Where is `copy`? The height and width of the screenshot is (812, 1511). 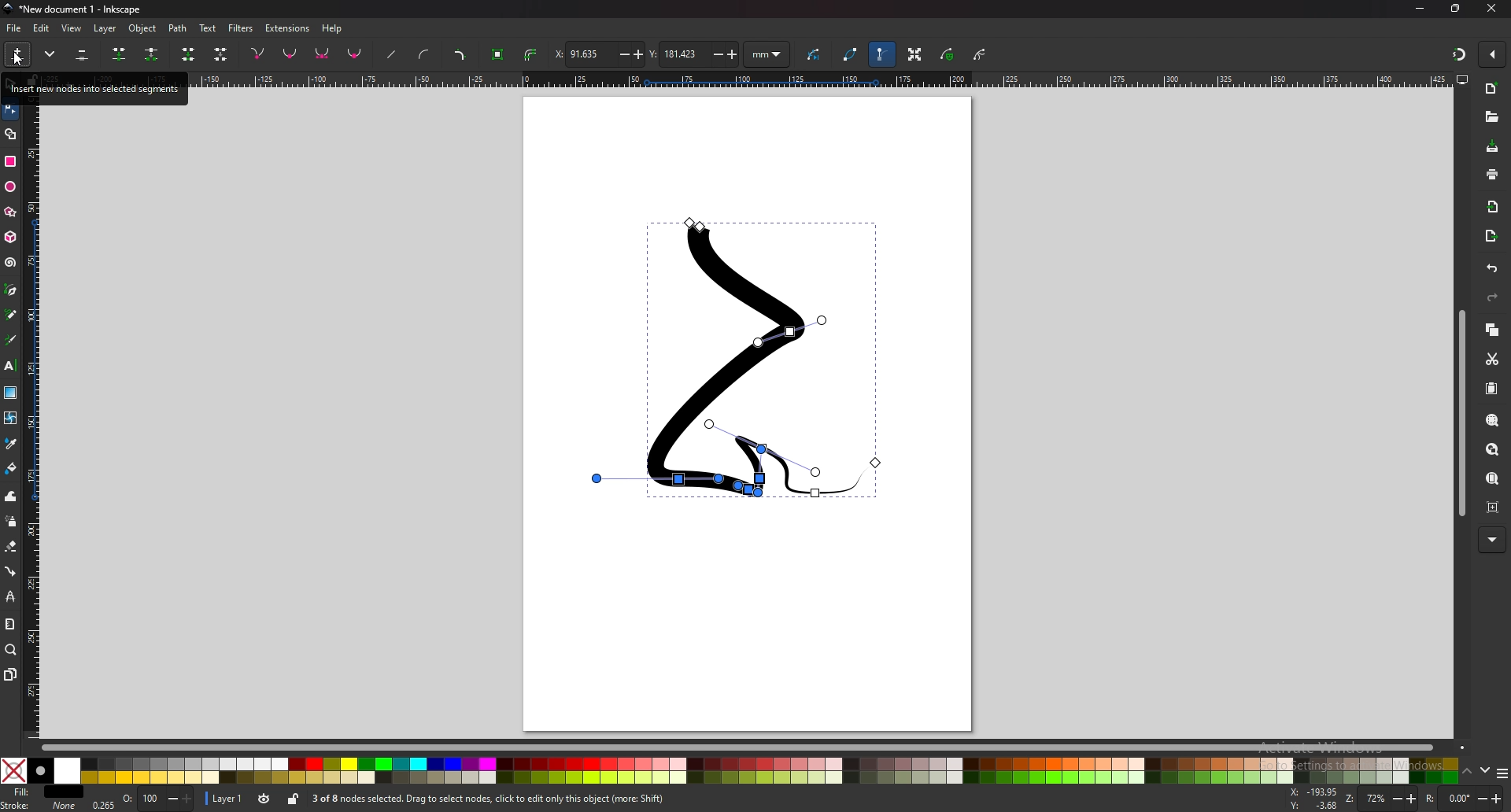 copy is located at coordinates (1493, 331).